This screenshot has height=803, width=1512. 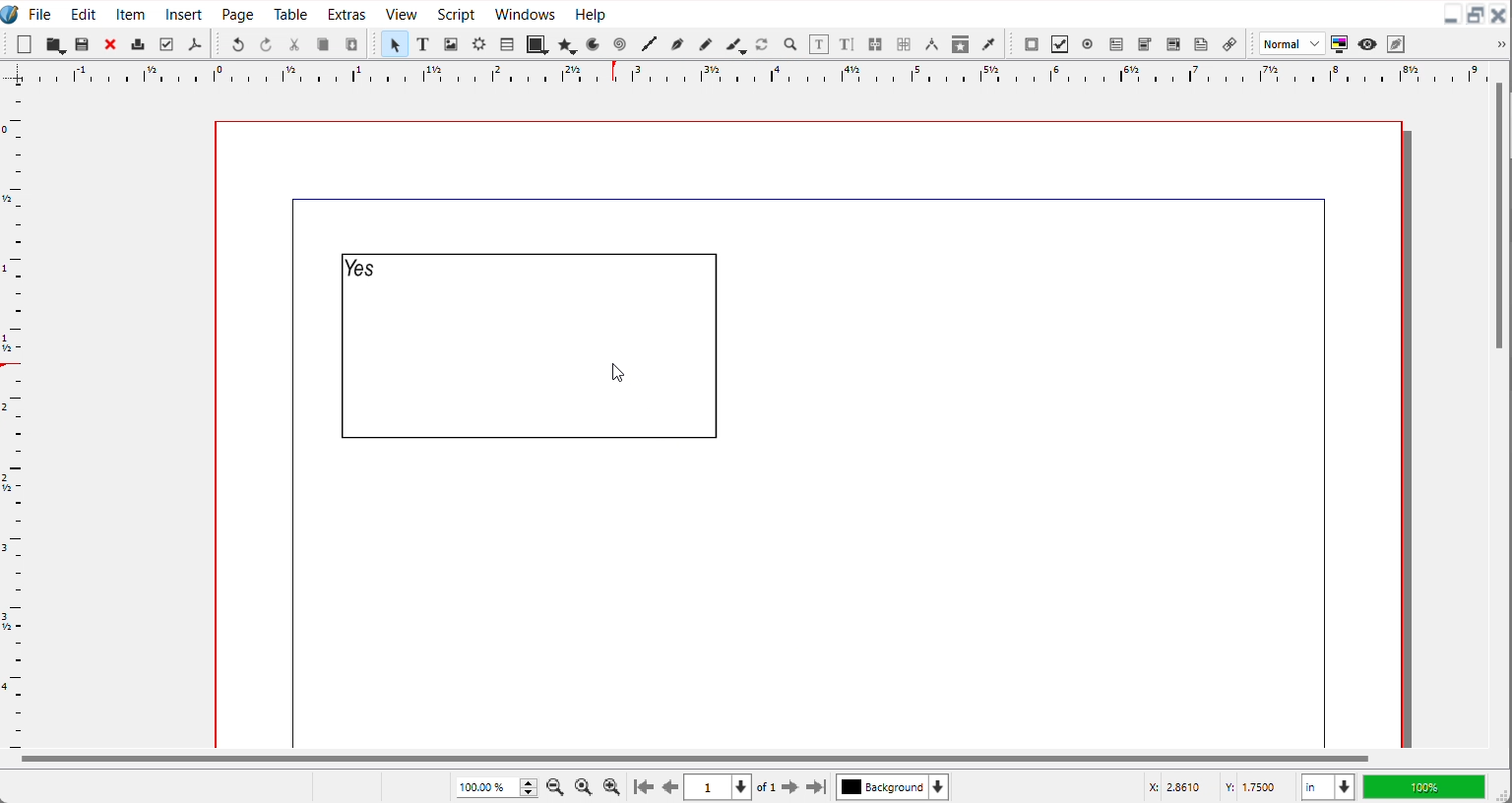 What do you see at coordinates (165, 44) in the screenshot?
I see `Preflight verifier` at bounding box center [165, 44].